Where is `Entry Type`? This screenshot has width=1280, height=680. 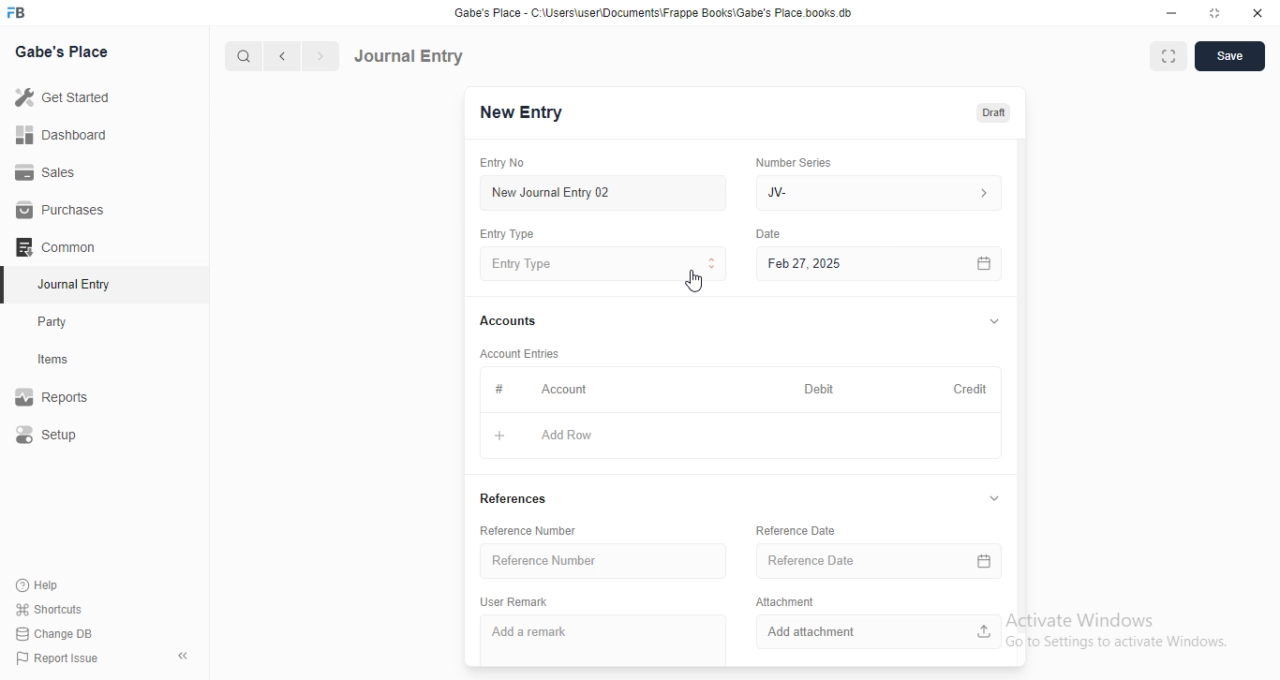 Entry Type is located at coordinates (507, 235).